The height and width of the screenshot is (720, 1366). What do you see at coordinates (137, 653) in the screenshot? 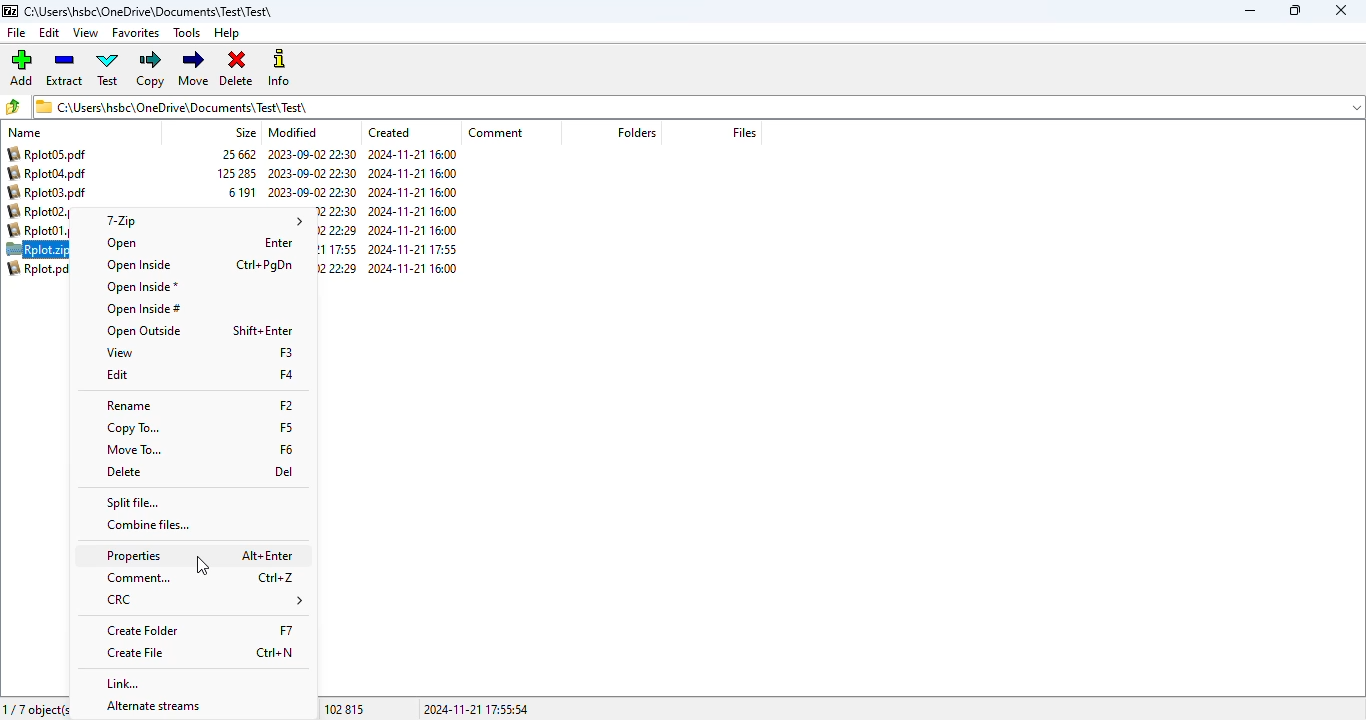
I see `create file` at bounding box center [137, 653].